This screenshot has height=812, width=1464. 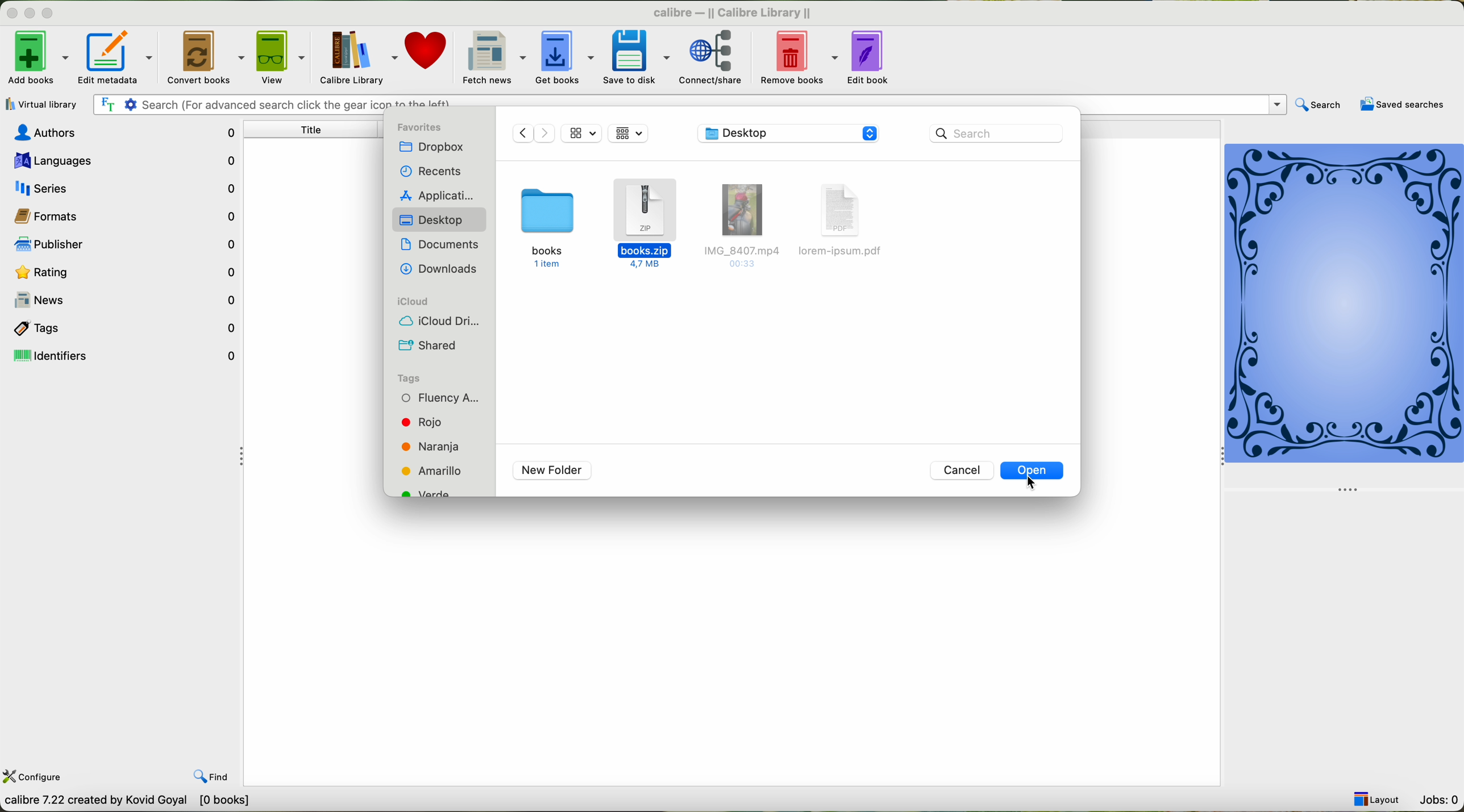 I want to click on maximize, so click(x=50, y=13).